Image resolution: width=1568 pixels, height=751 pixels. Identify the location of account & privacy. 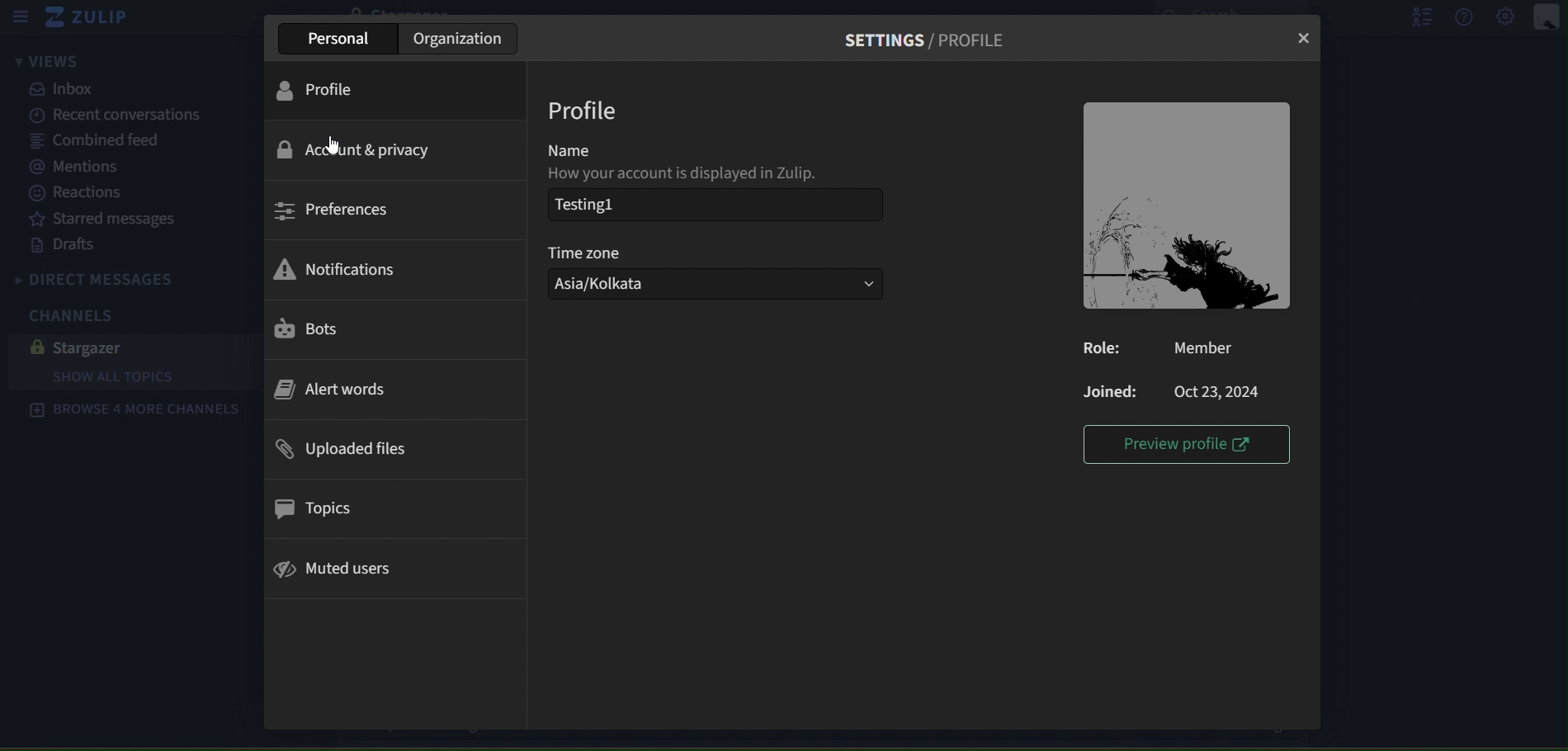
(356, 151).